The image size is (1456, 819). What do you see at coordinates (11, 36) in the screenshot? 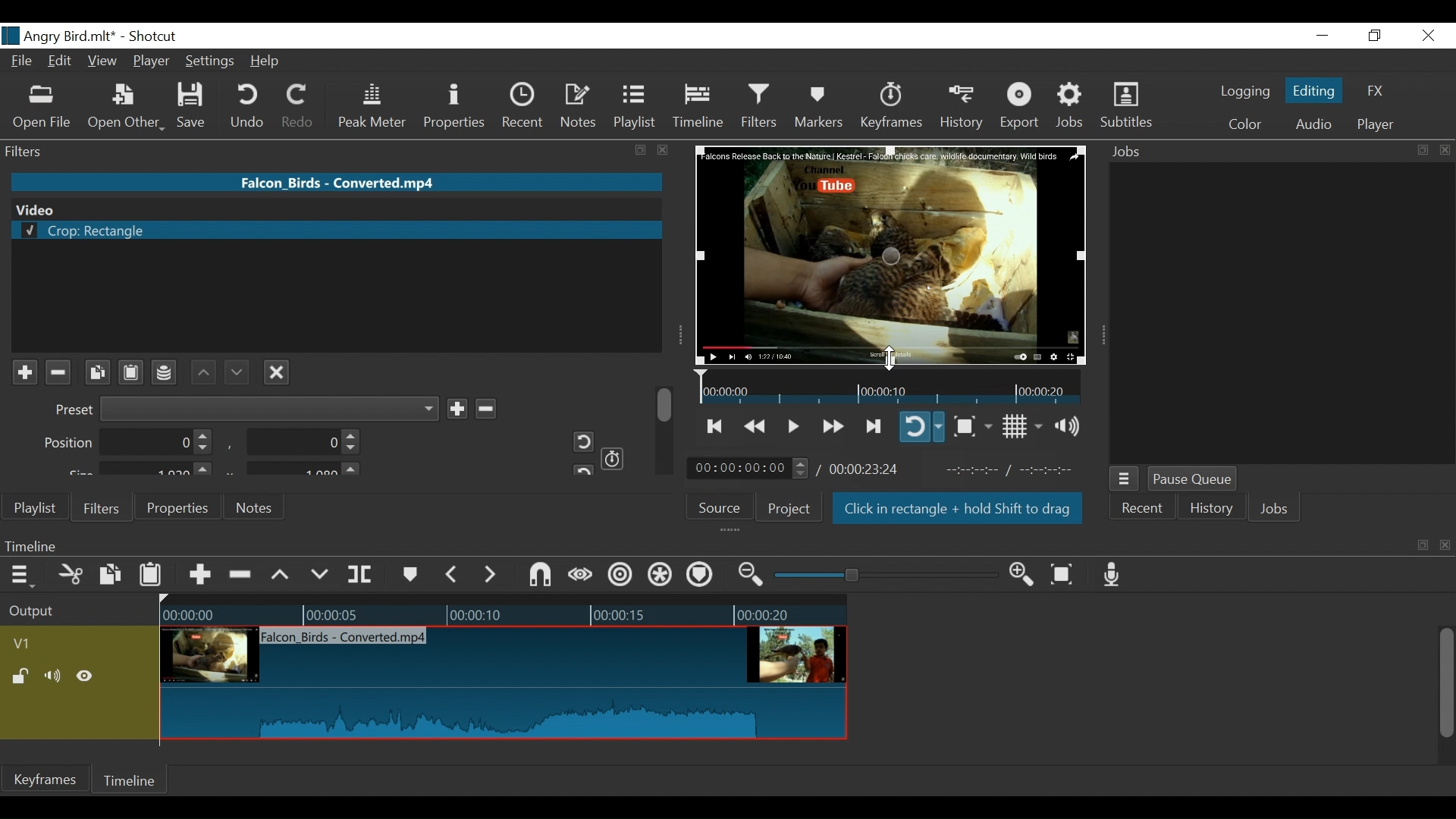
I see `logo` at bounding box center [11, 36].